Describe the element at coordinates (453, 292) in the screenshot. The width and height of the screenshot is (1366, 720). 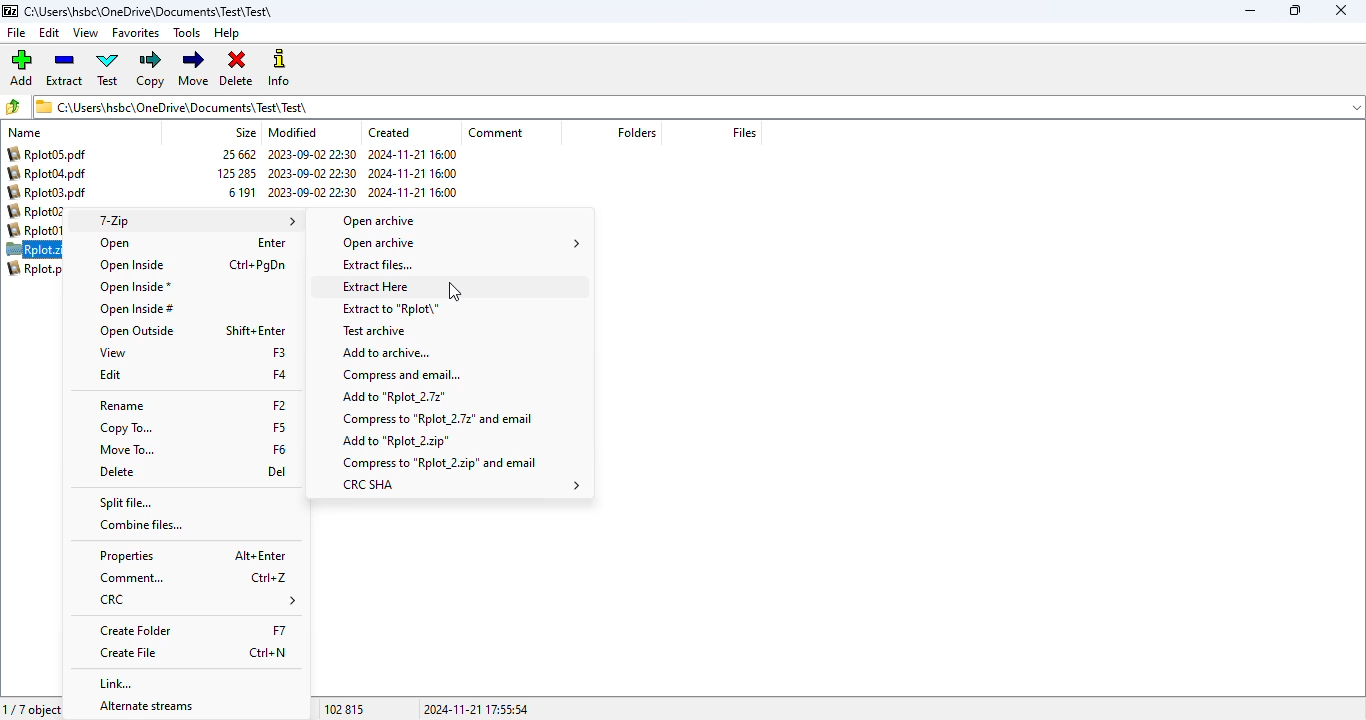
I see `cursor` at that location.